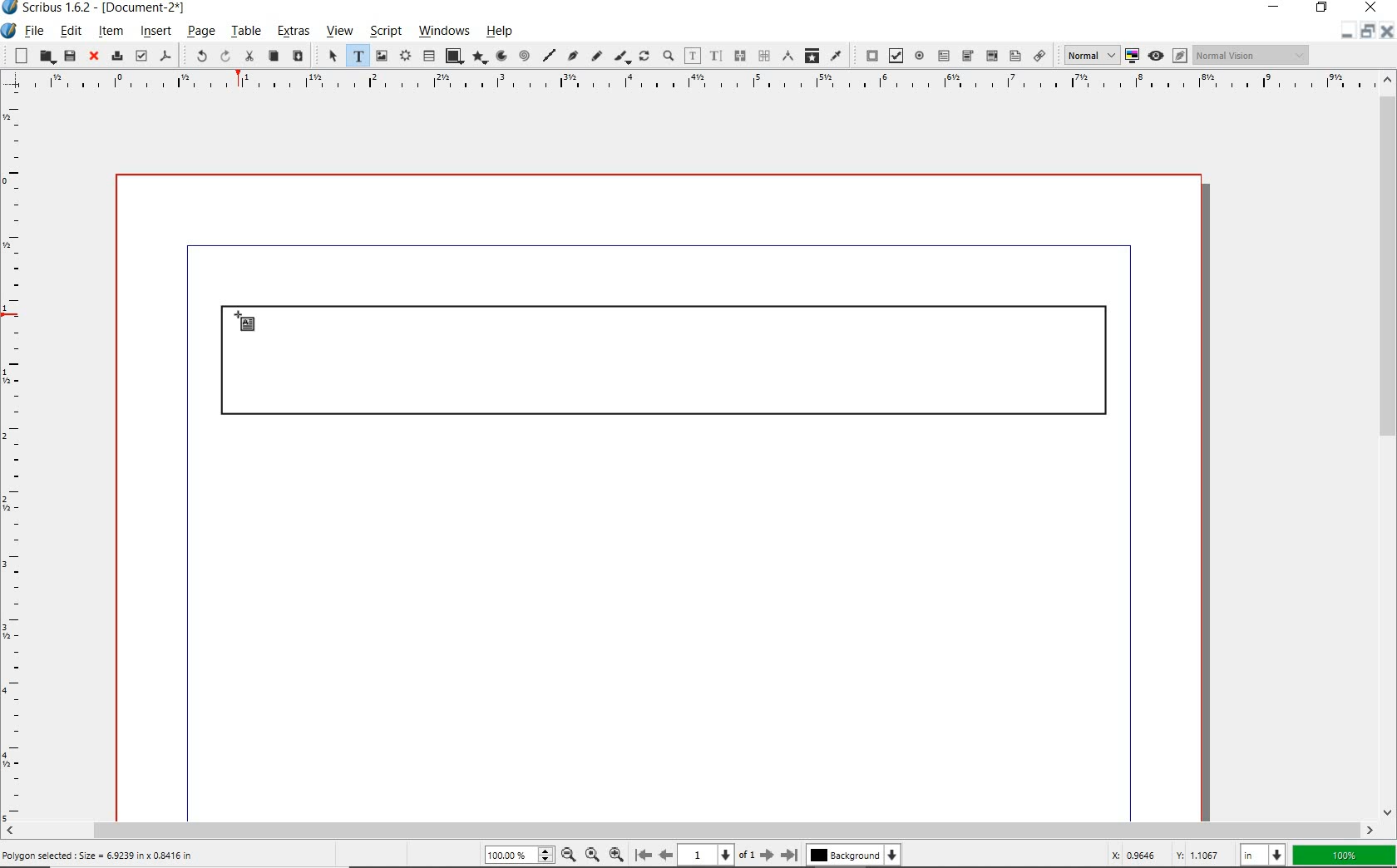 This screenshot has width=1397, height=868. Describe the element at coordinates (616, 853) in the screenshot. I see `zoom out` at that location.